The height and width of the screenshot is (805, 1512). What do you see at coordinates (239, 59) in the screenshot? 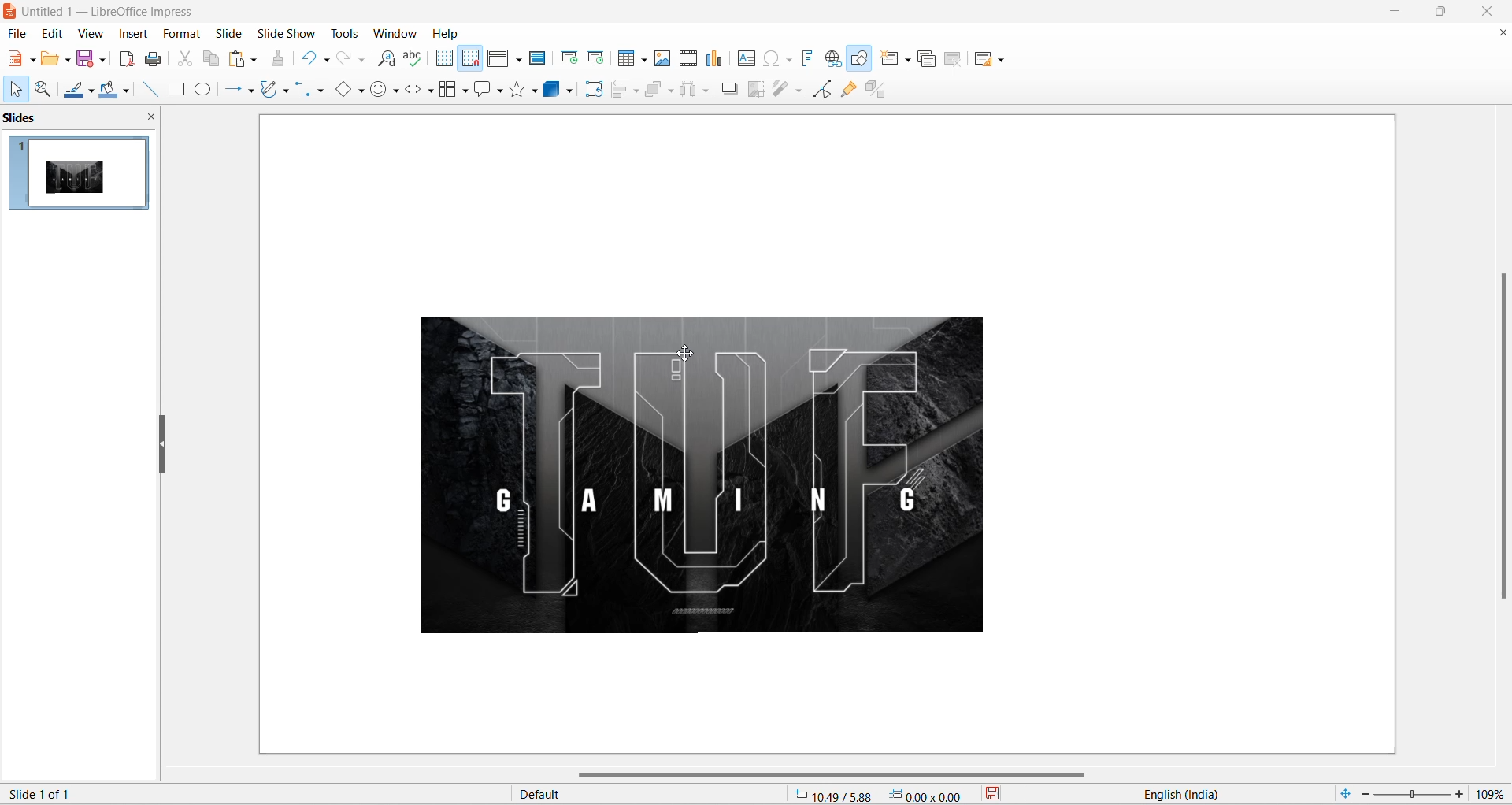
I see `paste` at bounding box center [239, 59].